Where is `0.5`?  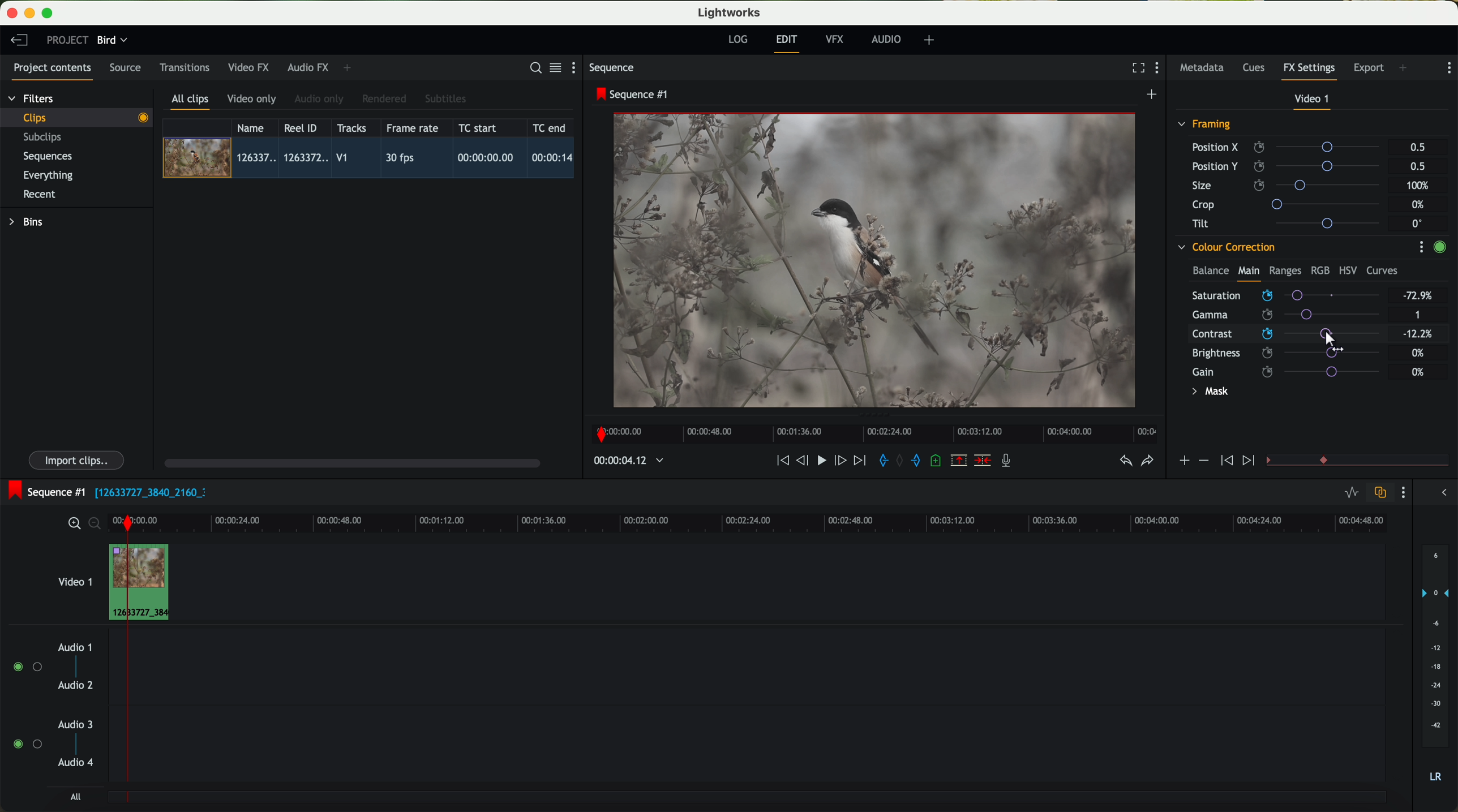
0.5 is located at coordinates (1418, 148).